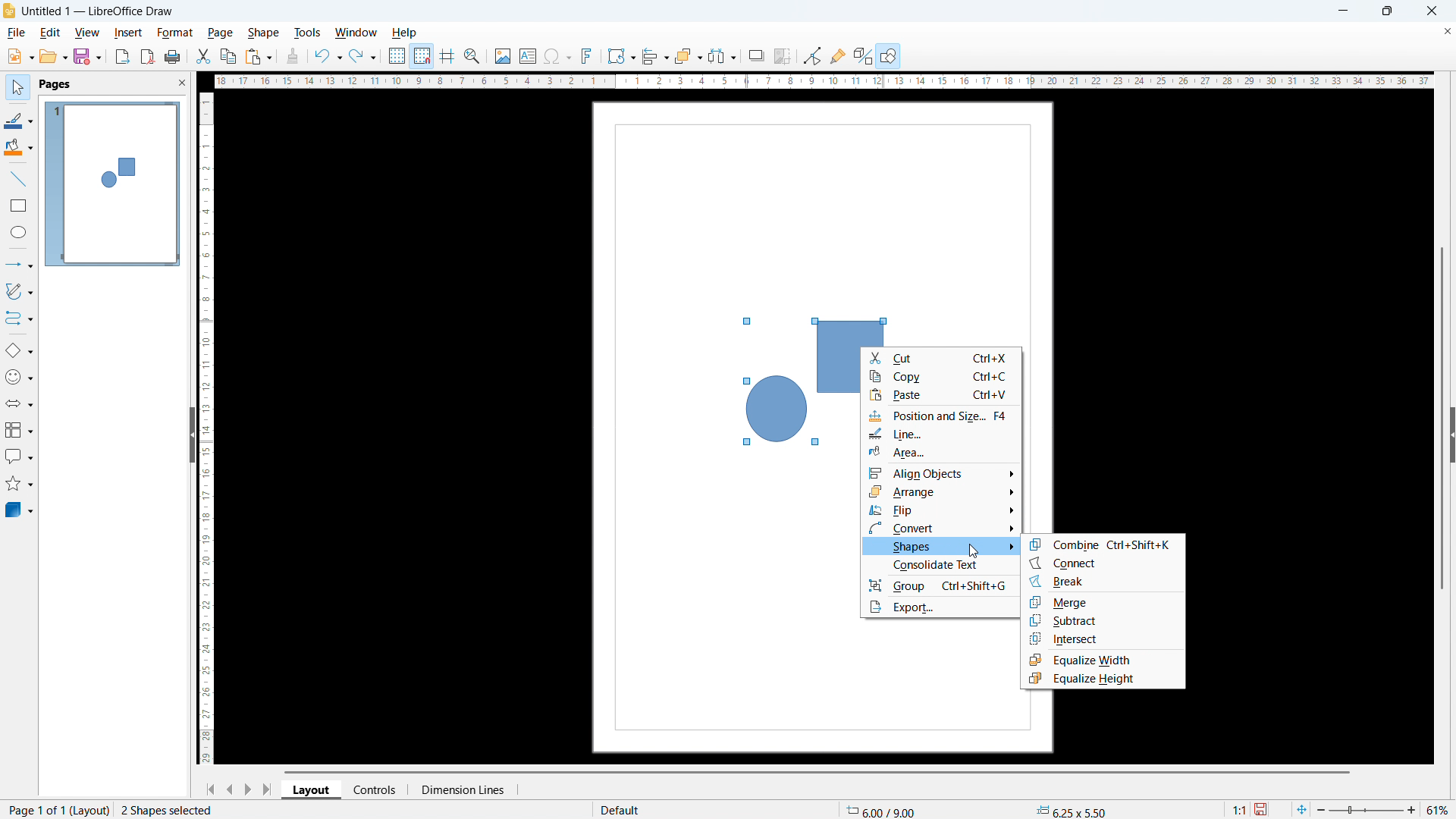 This screenshot has height=819, width=1456. I want to click on block arrows, so click(20, 403).